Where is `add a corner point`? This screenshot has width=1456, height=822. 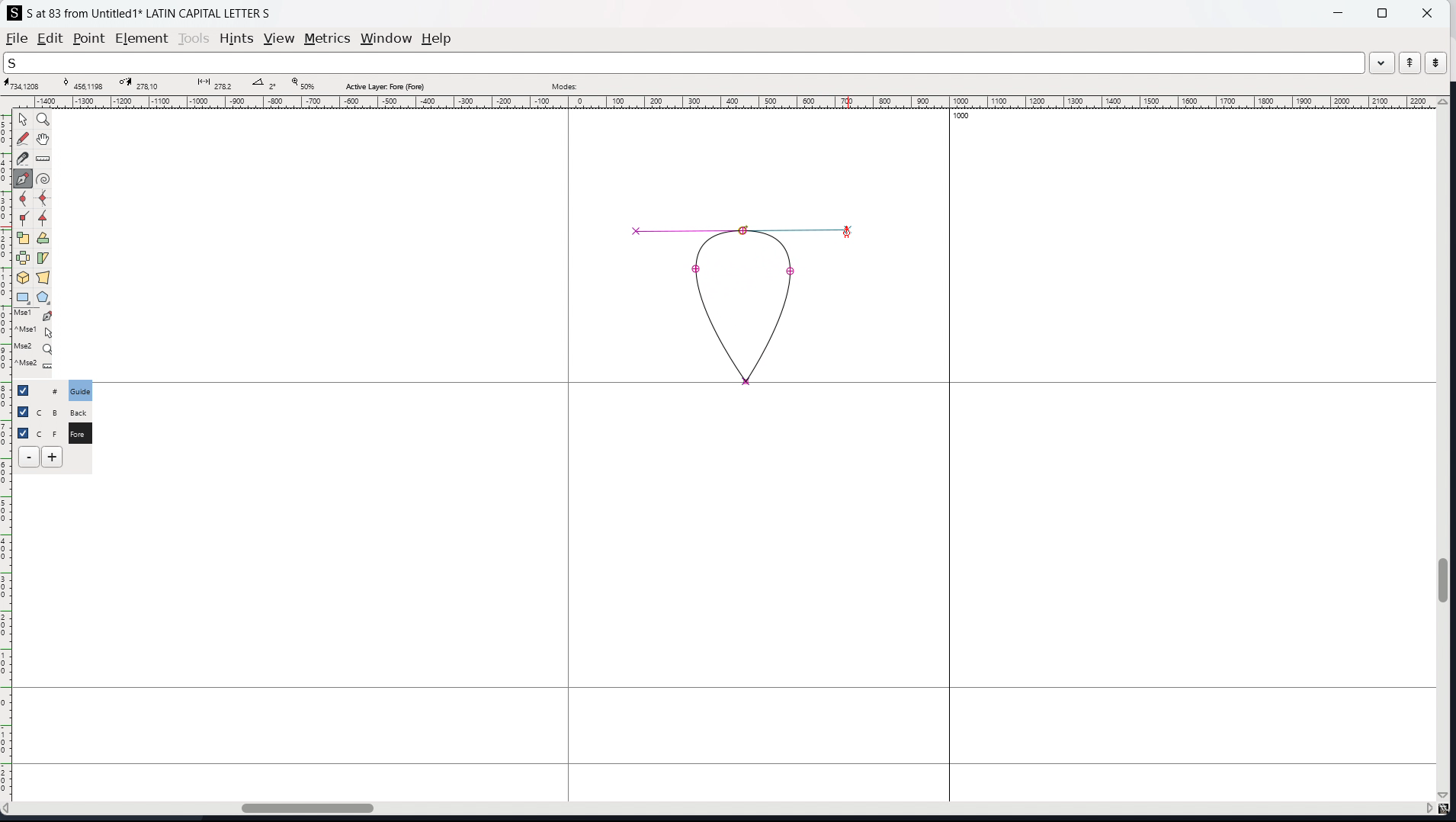 add a corner point is located at coordinates (24, 220).